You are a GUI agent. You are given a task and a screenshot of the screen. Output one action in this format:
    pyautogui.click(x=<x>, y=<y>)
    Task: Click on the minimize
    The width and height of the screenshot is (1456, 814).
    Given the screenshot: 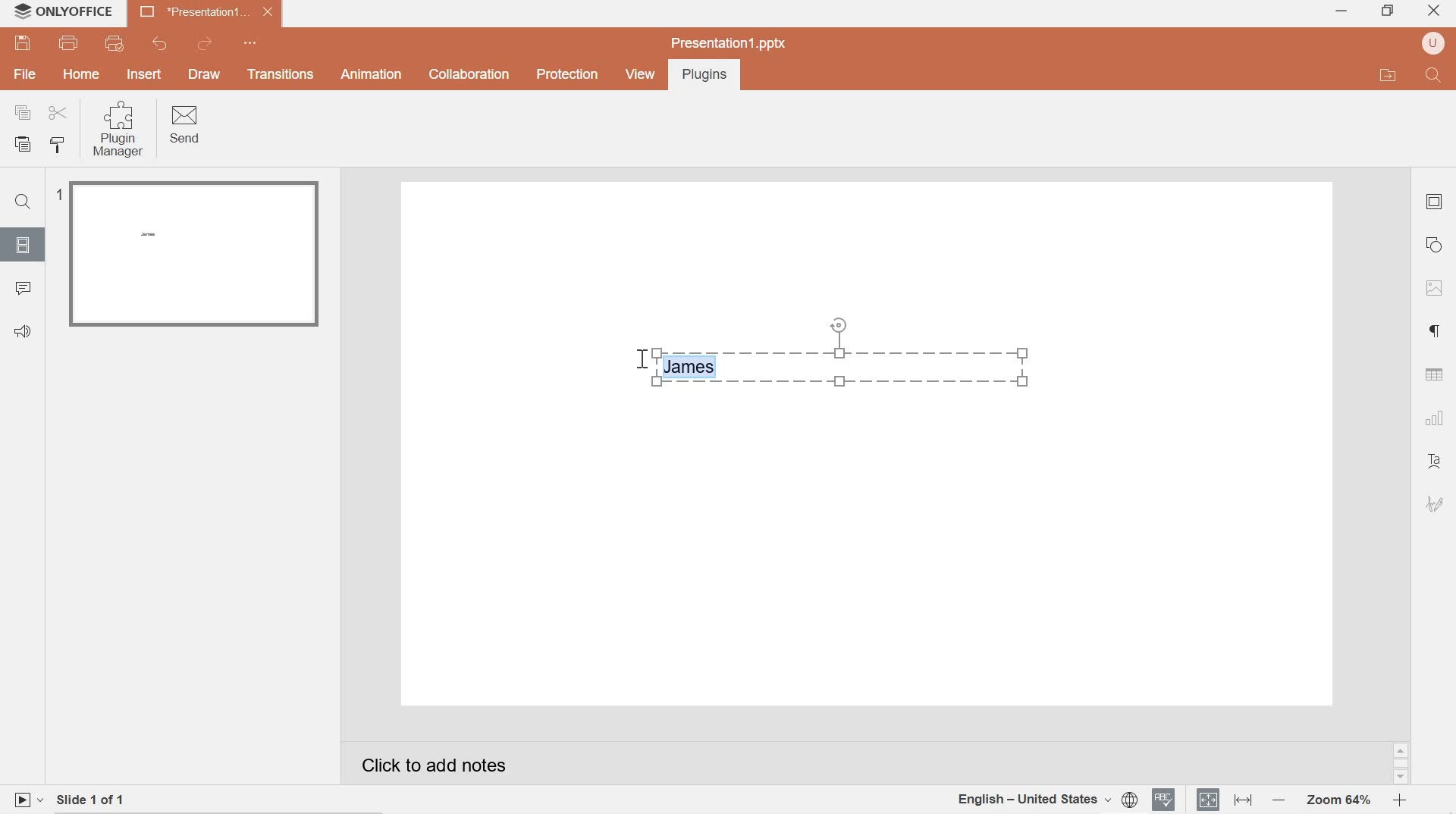 What is the action you would take?
    pyautogui.click(x=1341, y=12)
    